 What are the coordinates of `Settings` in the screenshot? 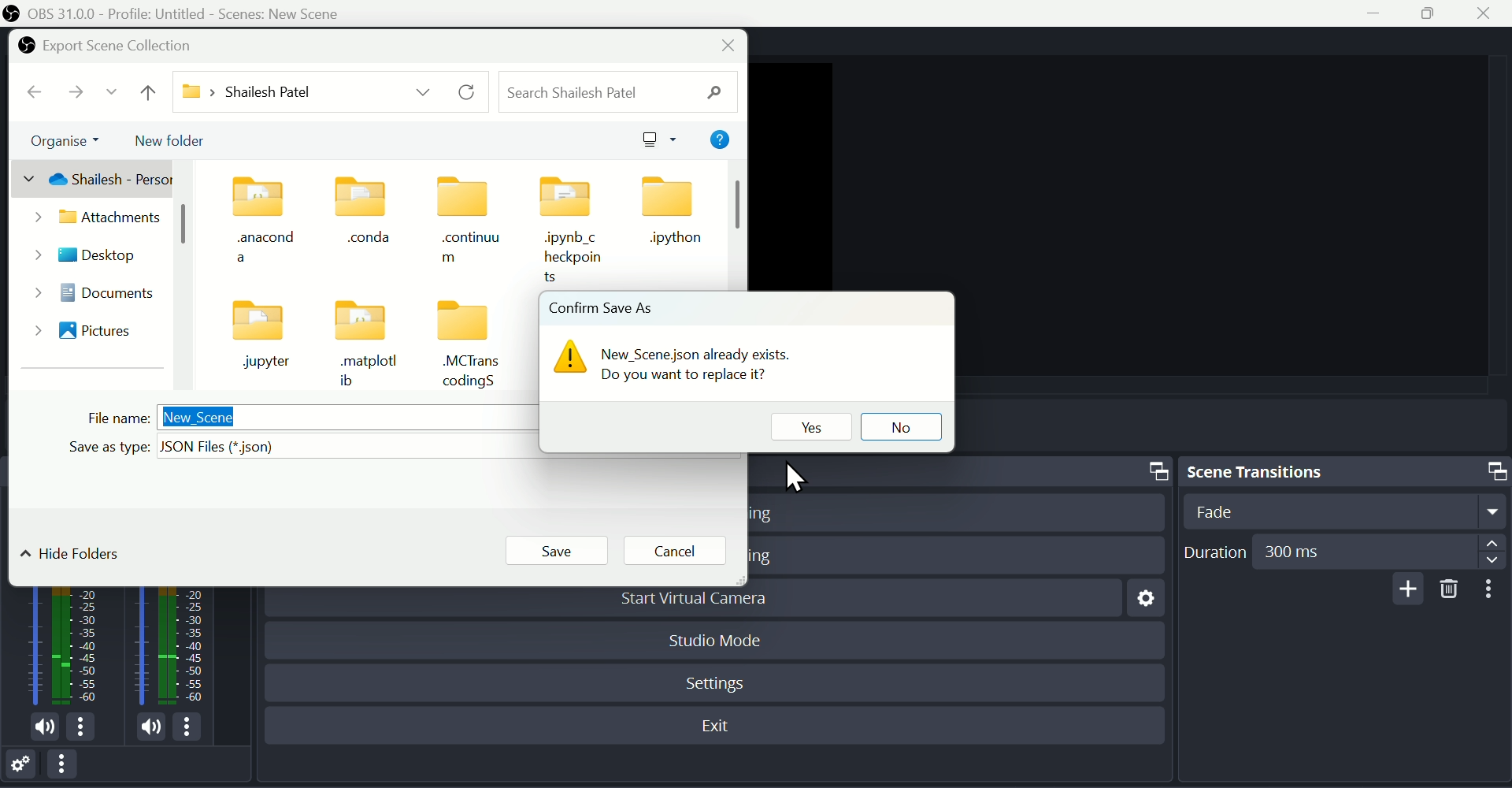 It's located at (1141, 603).